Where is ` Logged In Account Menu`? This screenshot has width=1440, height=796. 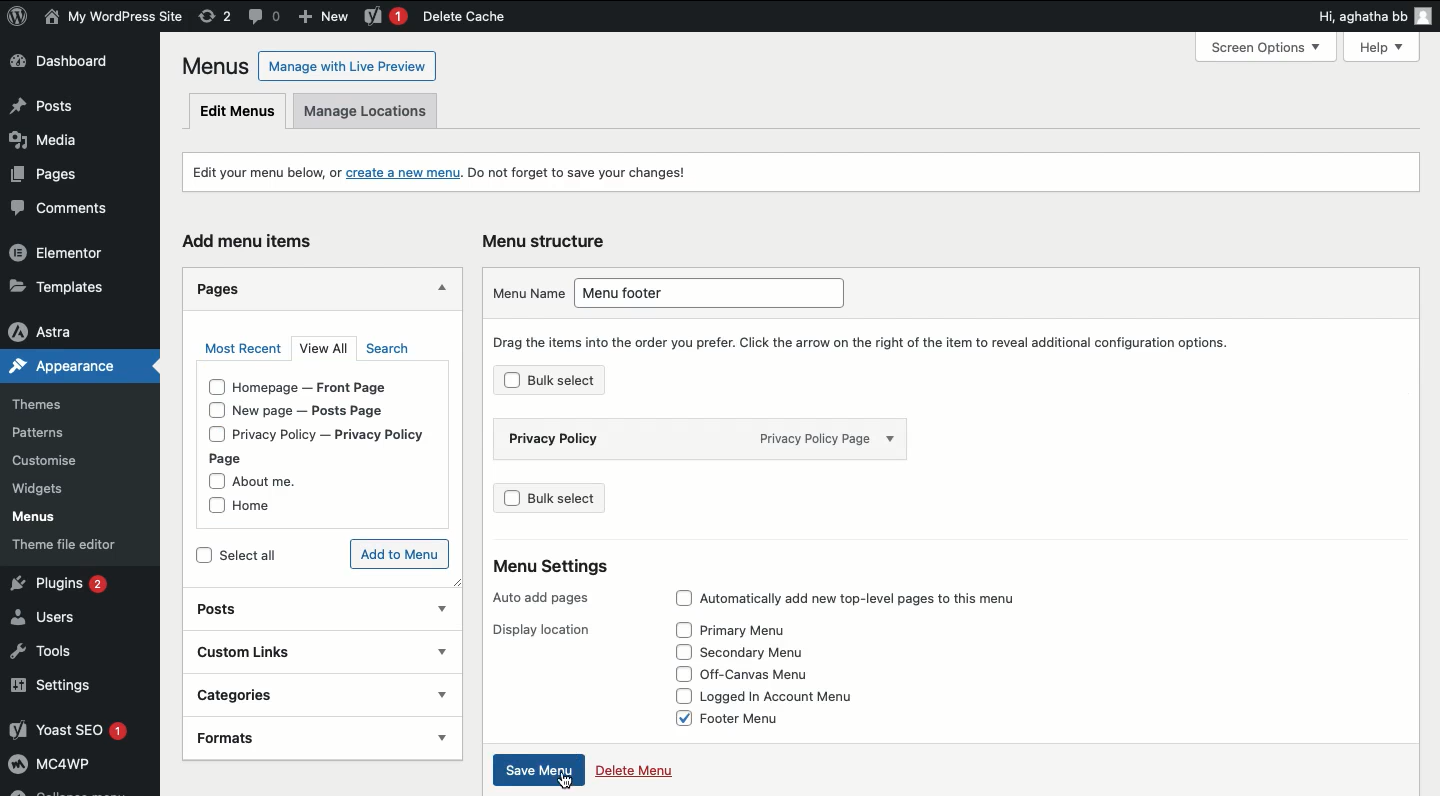  Logged In Account Menu is located at coordinates (812, 697).